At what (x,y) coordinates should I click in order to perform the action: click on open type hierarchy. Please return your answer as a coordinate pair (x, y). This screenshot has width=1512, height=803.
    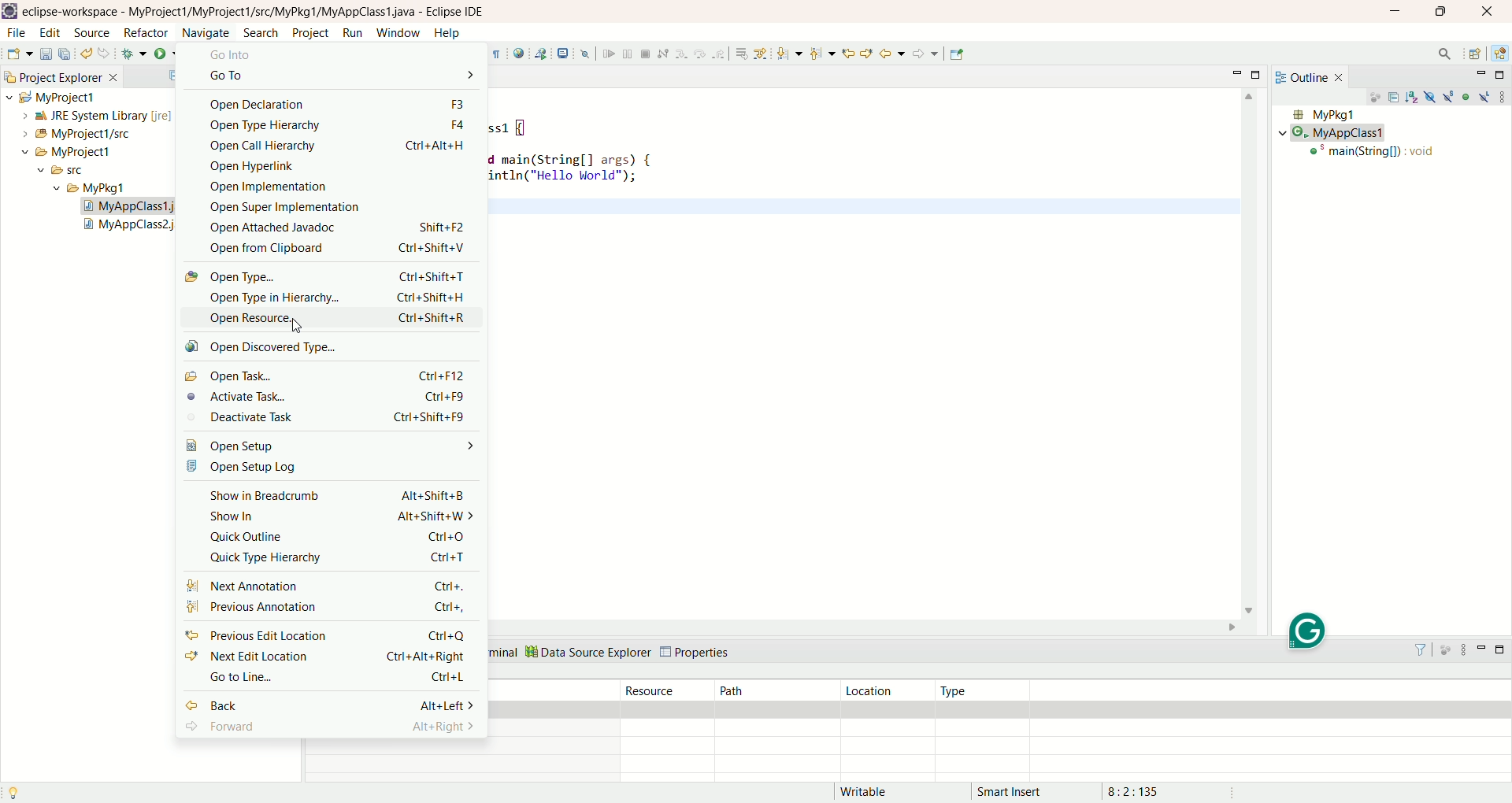
    Looking at the image, I should click on (335, 125).